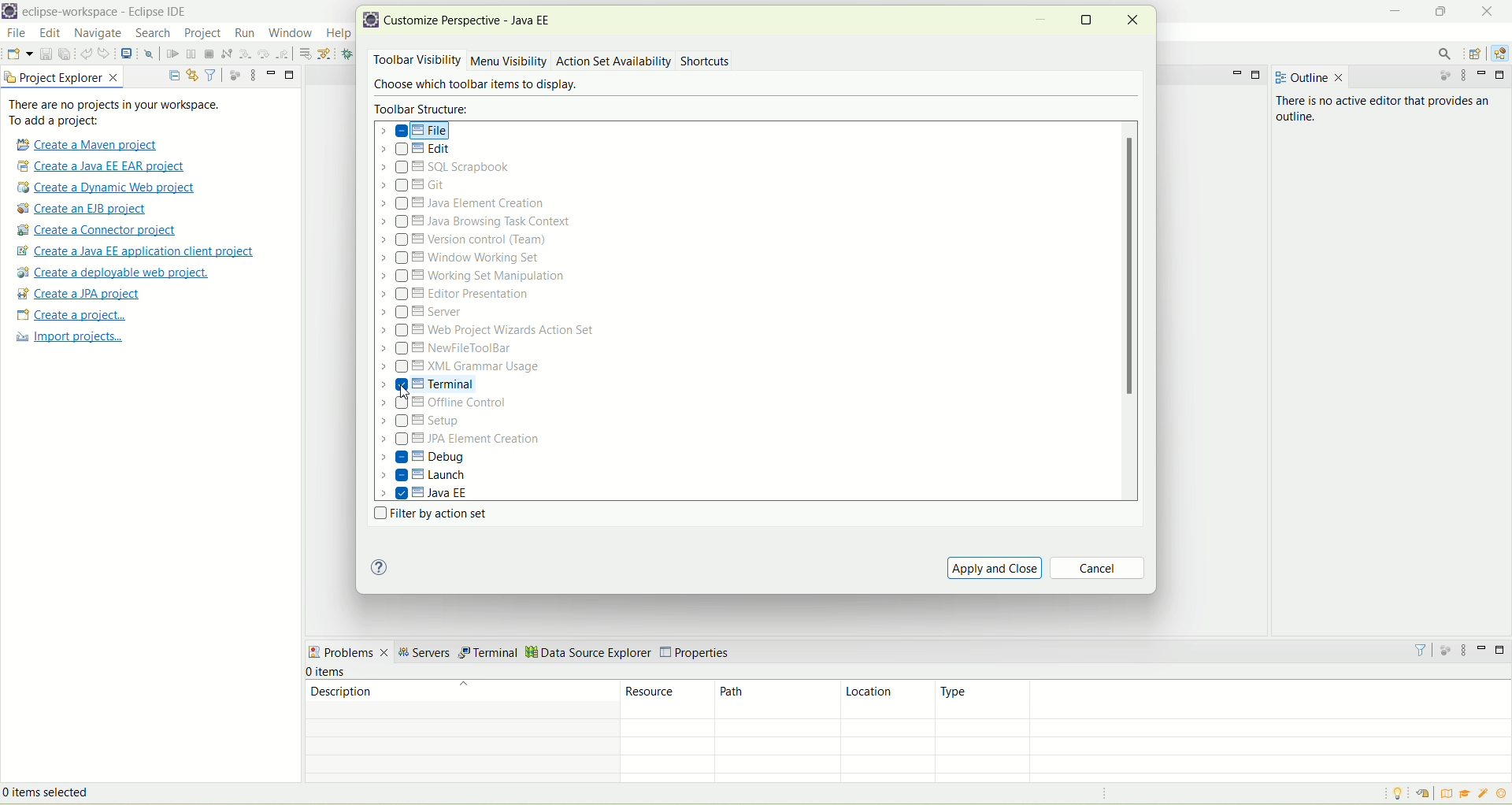 This screenshot has width=1512, height=805. I want to click on resume, so click(172, 56).